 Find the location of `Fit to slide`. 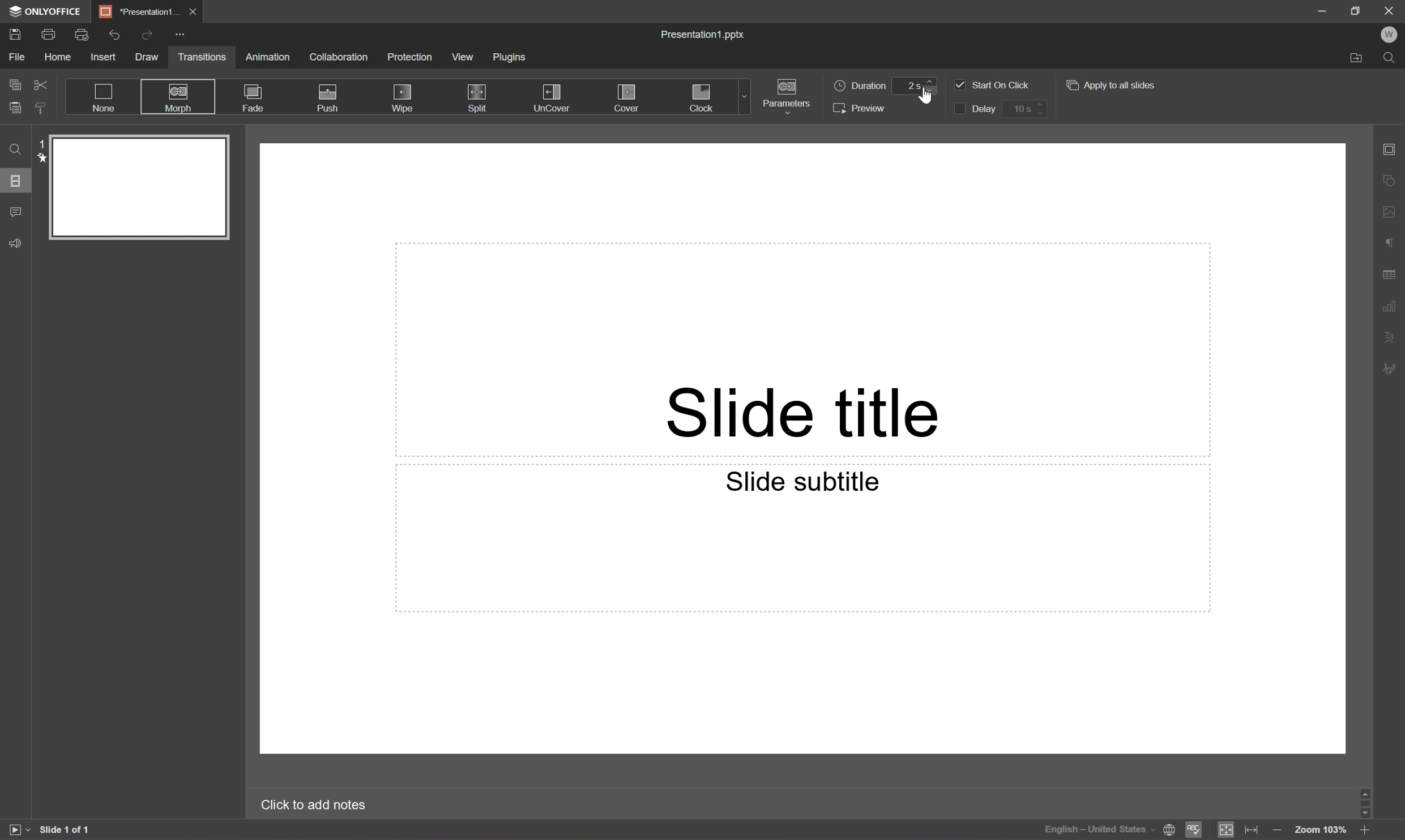

Fit to slide is located at coordinates (1225, 832).